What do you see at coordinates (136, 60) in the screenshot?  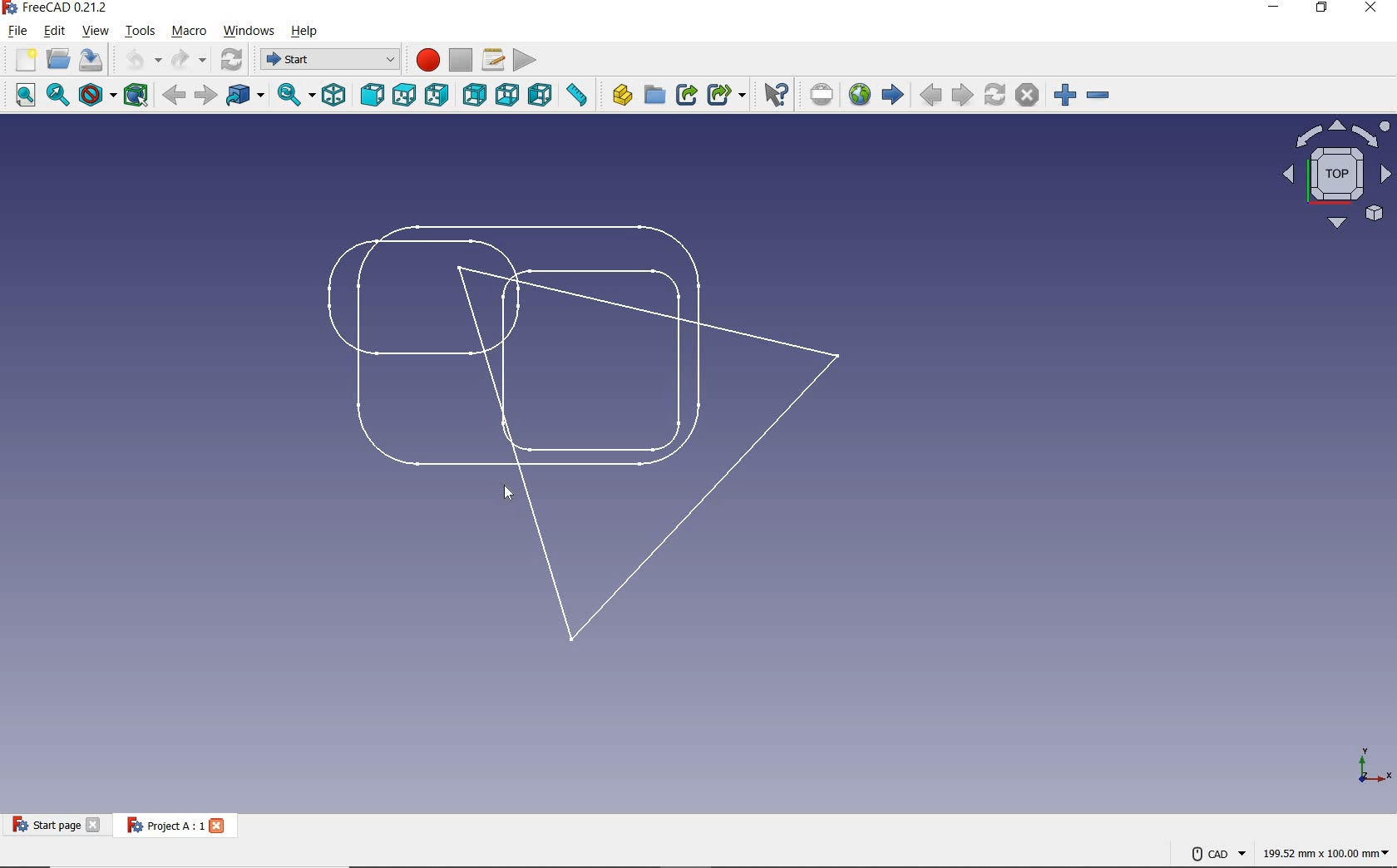 I see `UNDO` at bounding box center [136, 60].